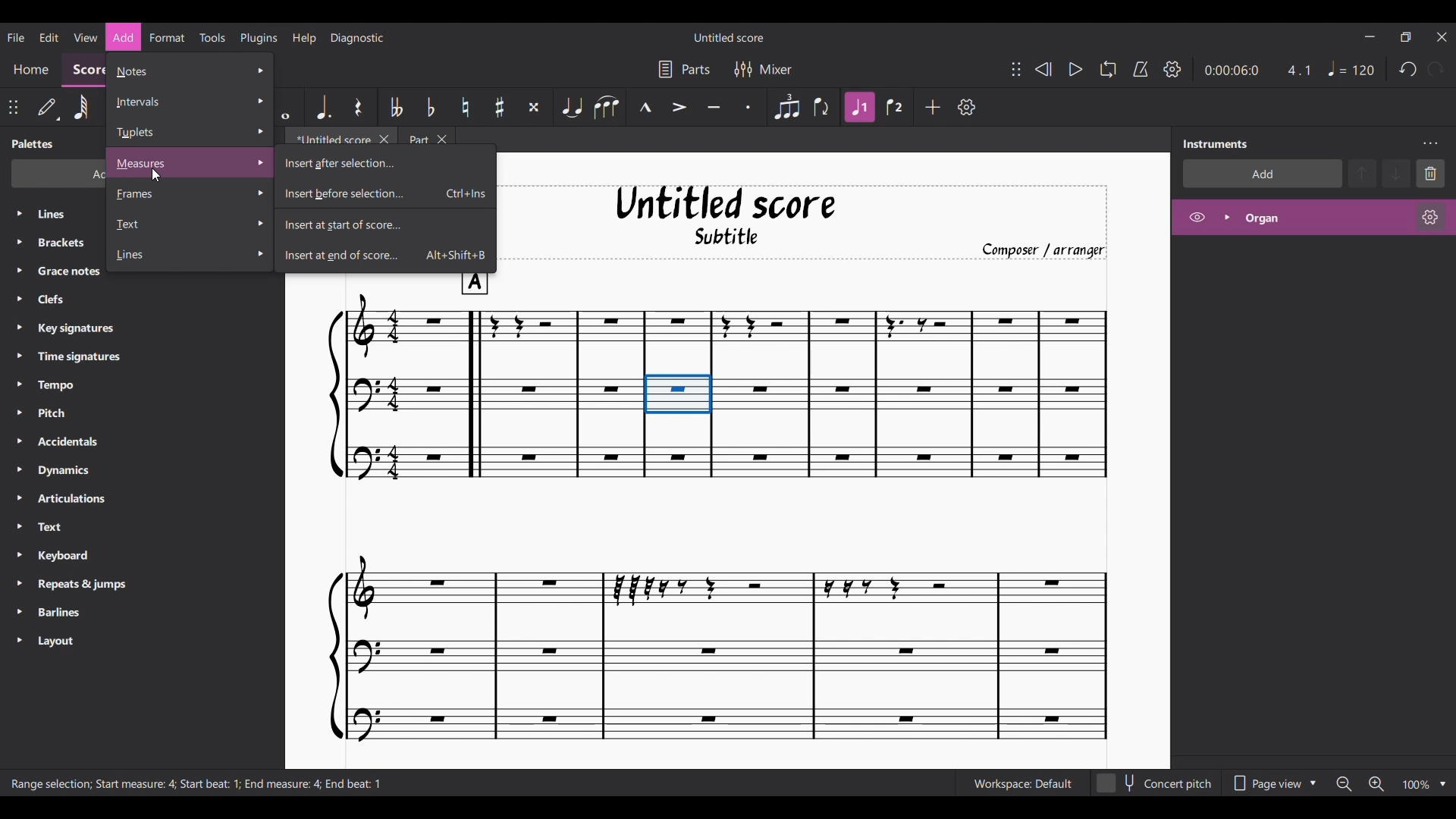 The height and width of the screenshot is (819, 1456). Describe the element at coordinates (304, 38) in the screenshot. I see `Help menu` at that location.